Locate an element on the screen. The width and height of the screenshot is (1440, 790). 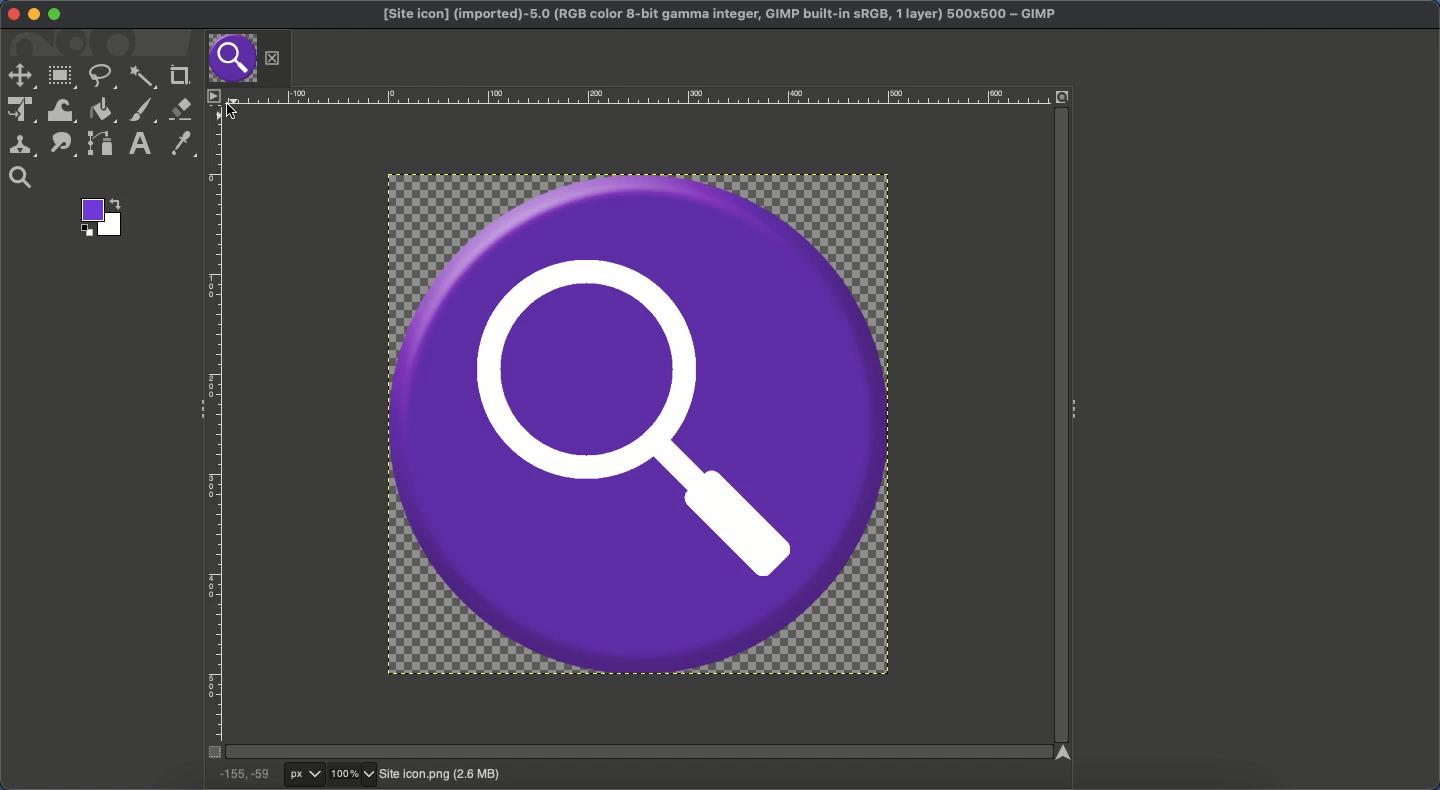
Magnify is located at coordinates (21, 178).